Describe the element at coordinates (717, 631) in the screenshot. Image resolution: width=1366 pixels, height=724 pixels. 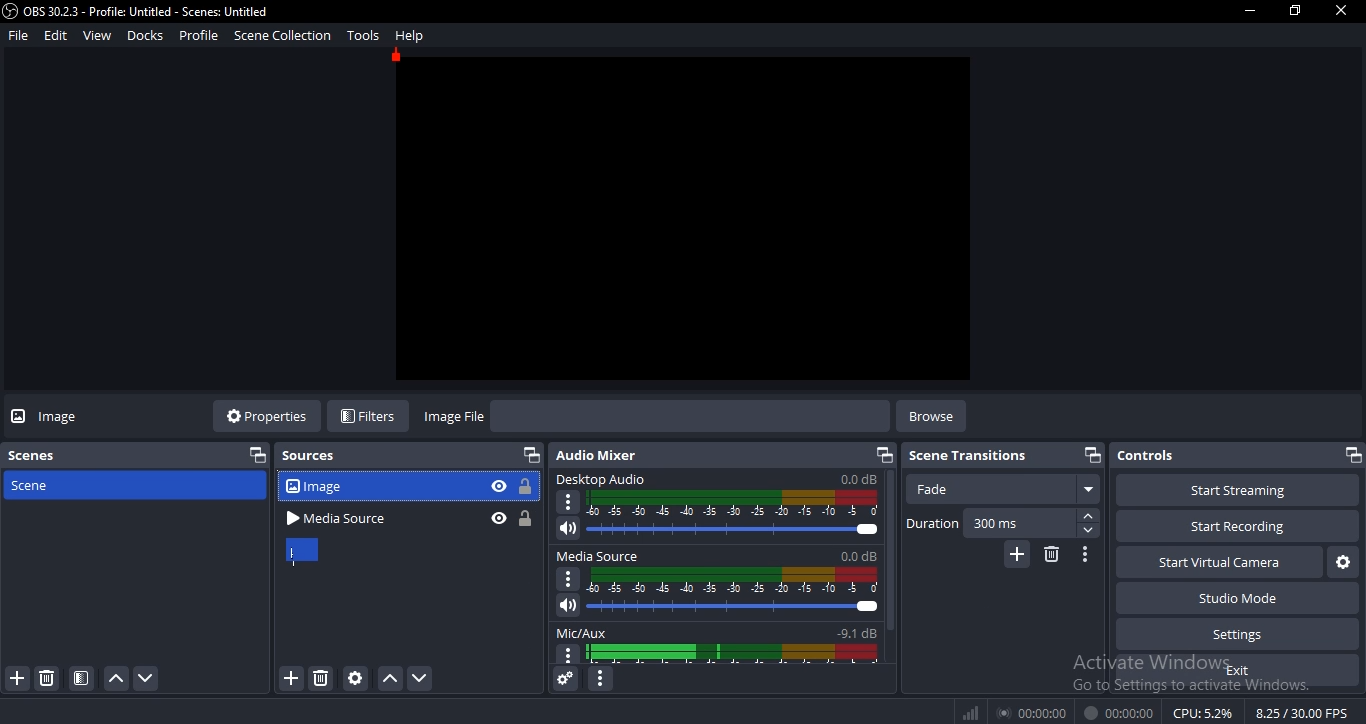
I see `mic/aux` at that location.